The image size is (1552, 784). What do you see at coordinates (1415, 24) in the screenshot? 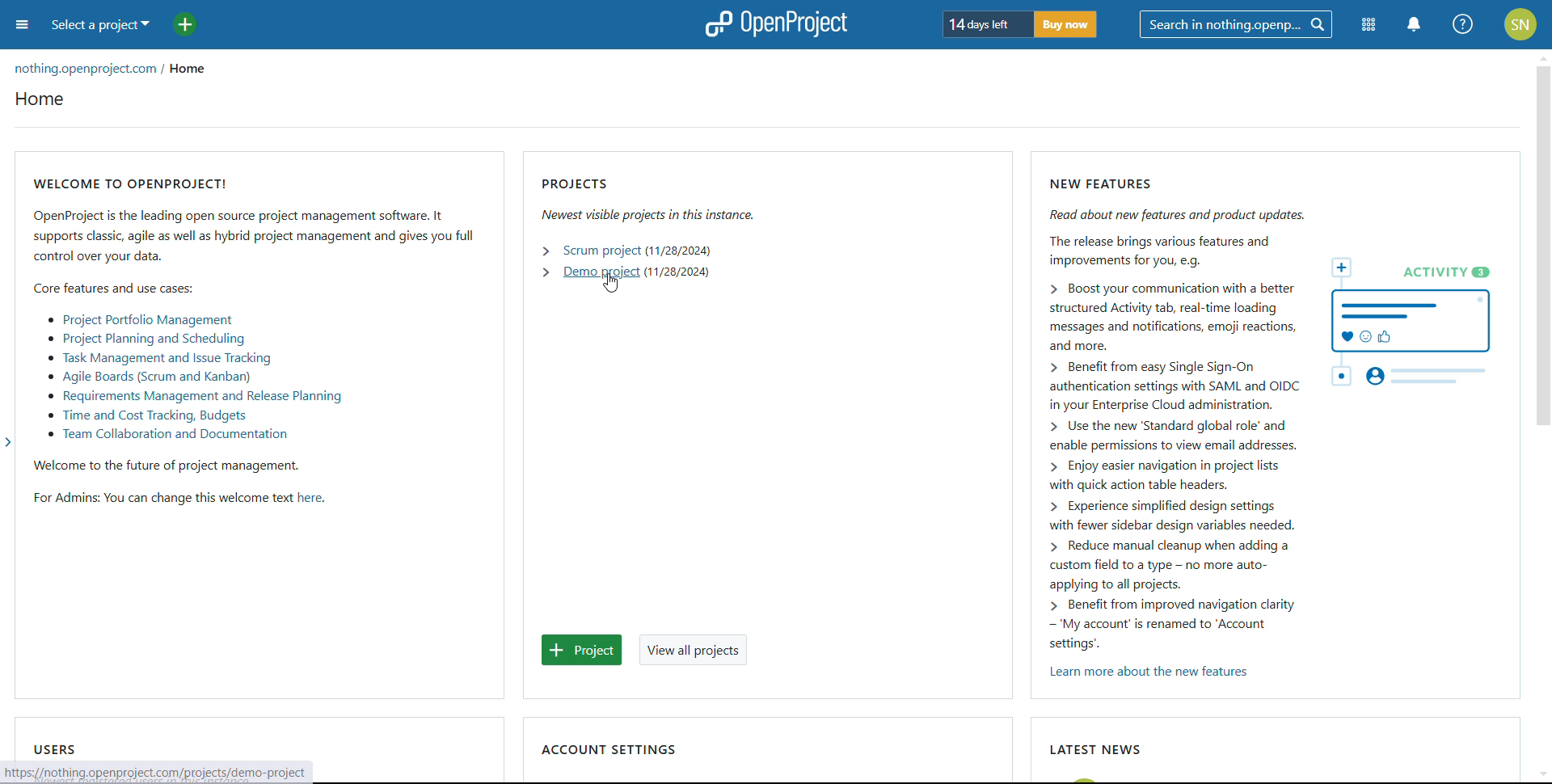
I see `notifications` at bounding box center [1415, 24].